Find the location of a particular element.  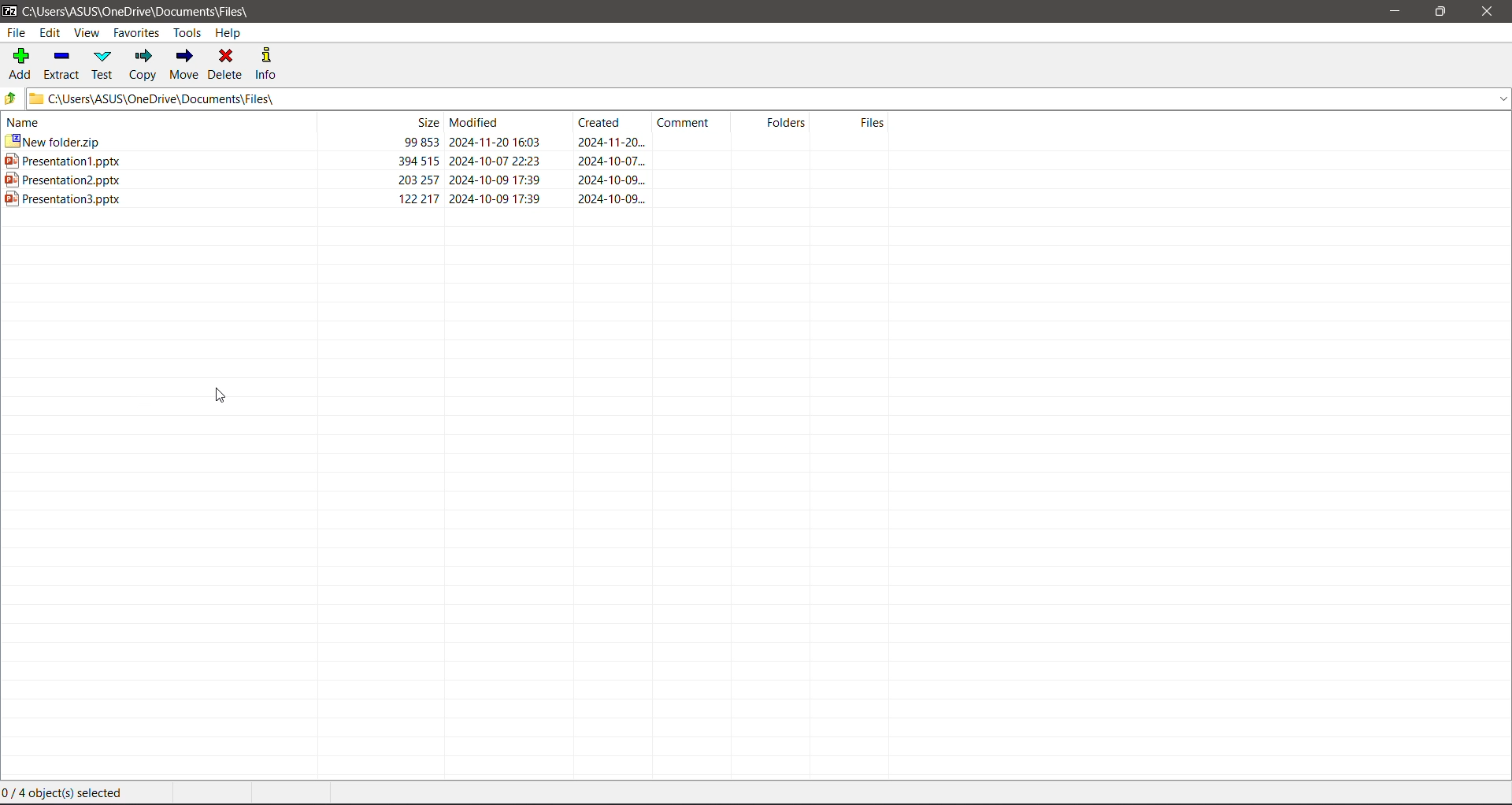

Current Folder Path is located at coordinates (769, 98).